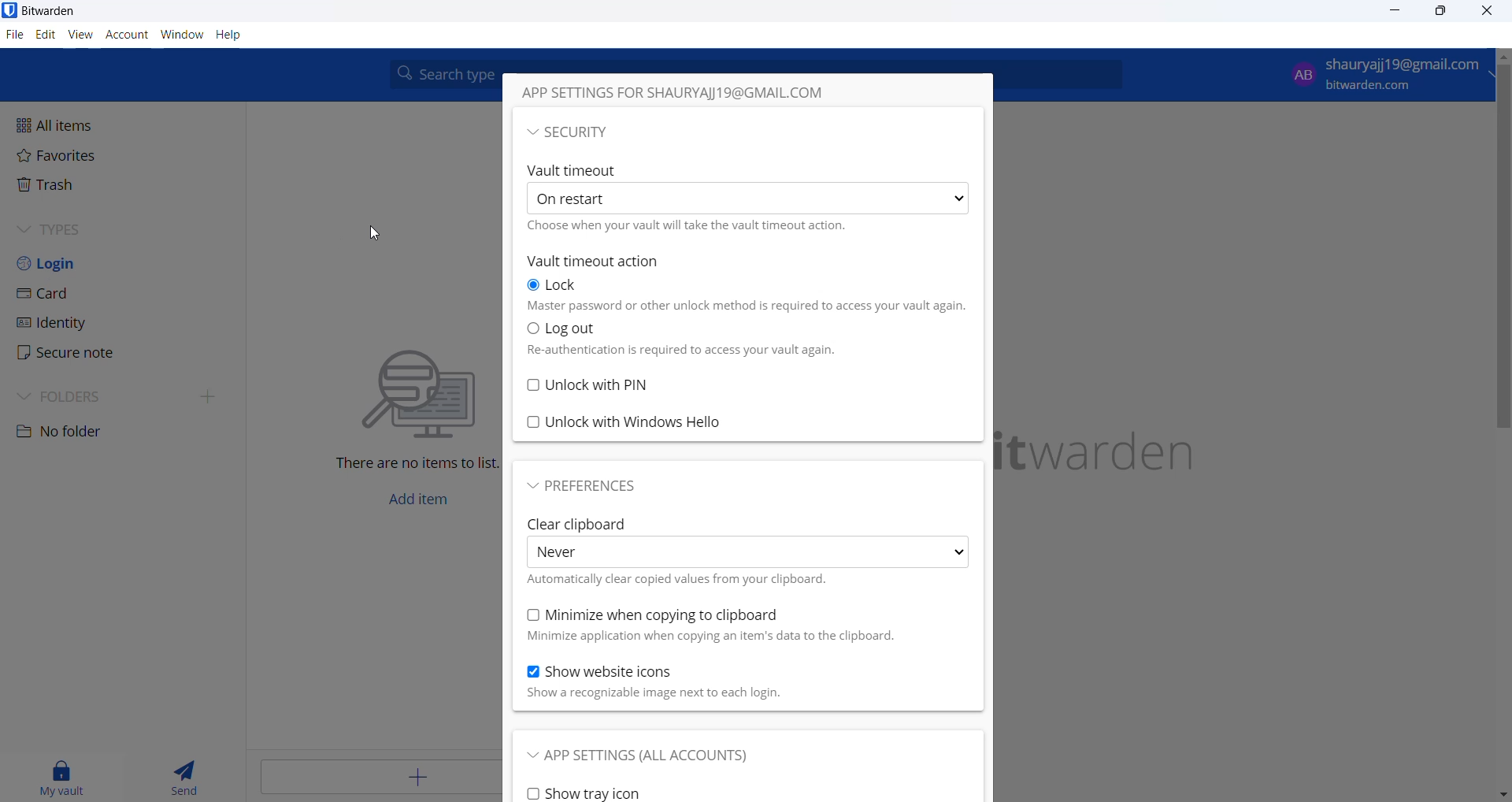 This screenshot has height=802, width=1512. What do you see at coordinates (148, 125) in the screenshot?
I see `All item` at bounding box center [148, 125].